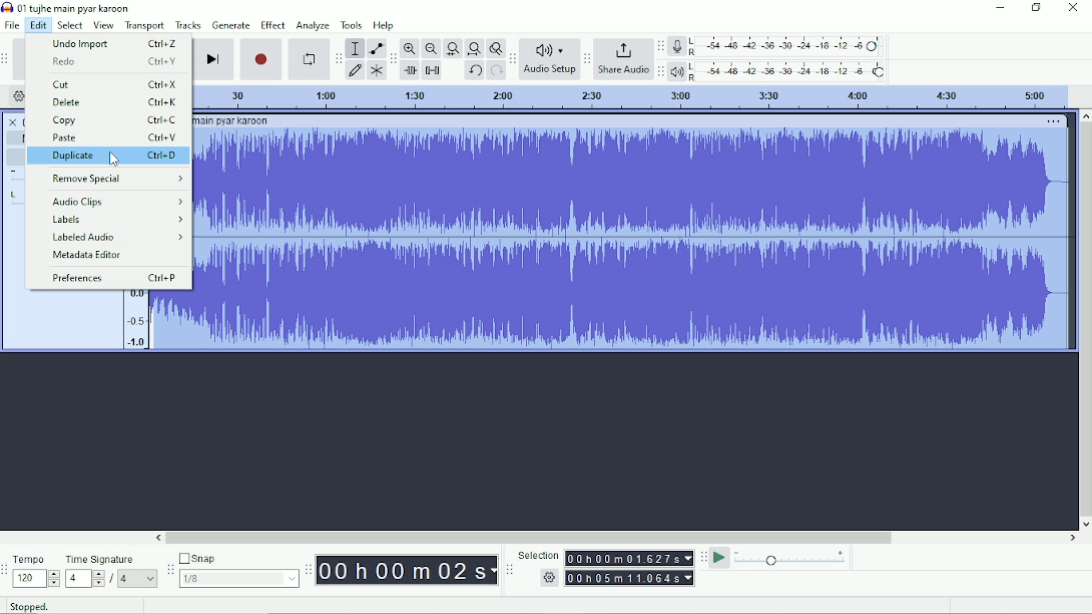 The width and height of the screenshot is (1092, 614). What do you see at coordinates (630, 578) in the screenshot?
I see `00 h 00 m 00.00s` at bounding box center [630, 578].